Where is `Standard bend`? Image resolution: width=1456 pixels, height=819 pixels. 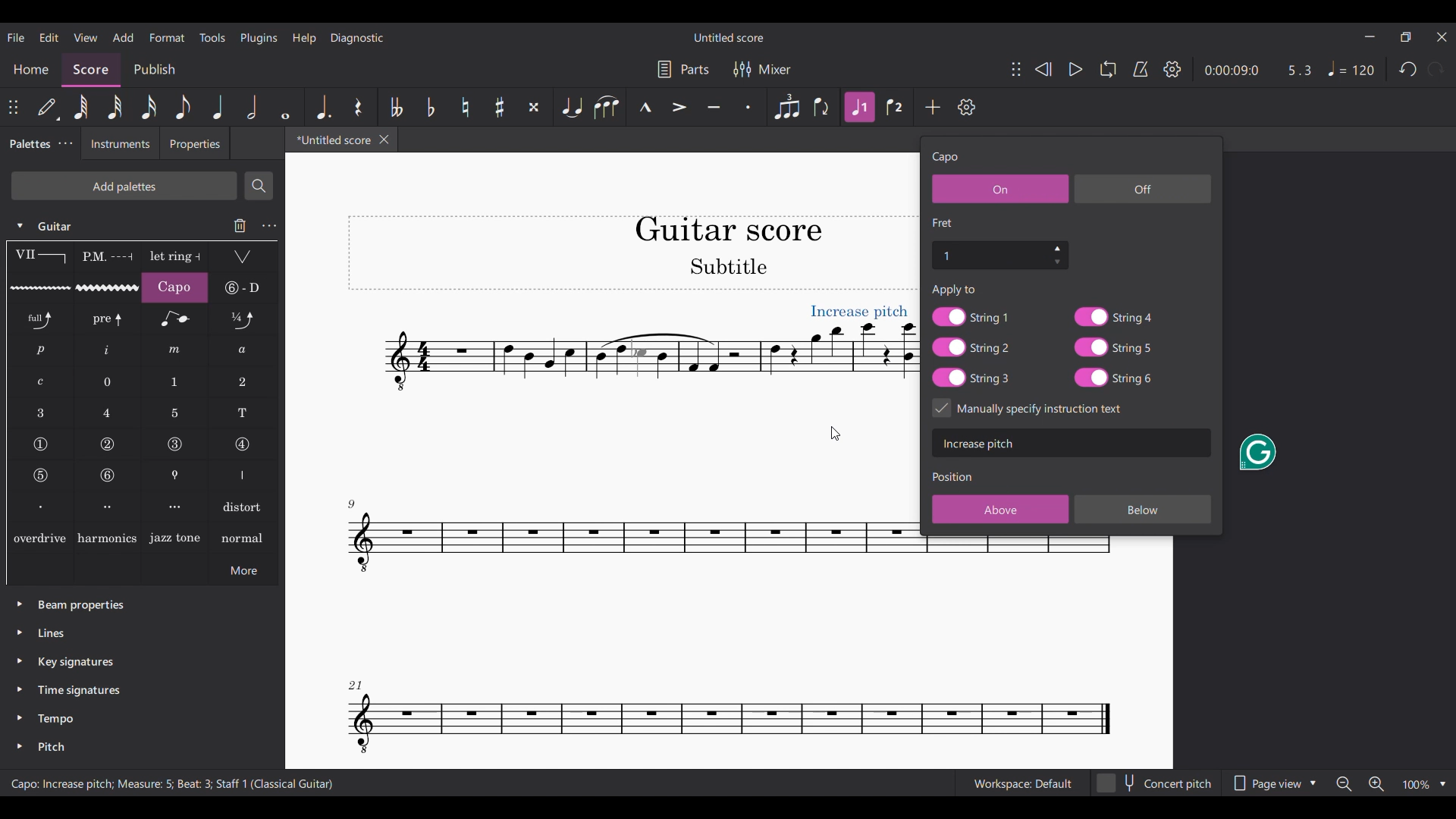
Standard bend is located at coordinates (41, 319).